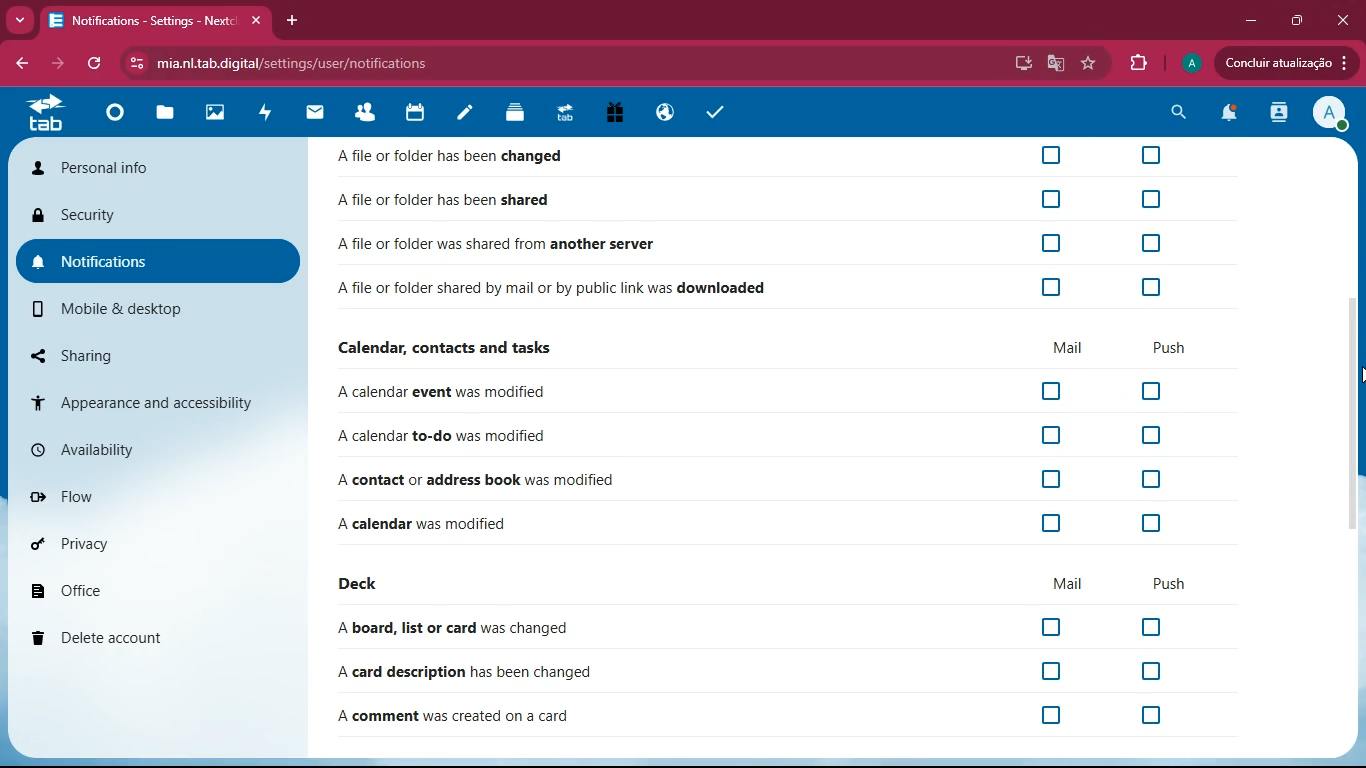 Image resolution: width=1366 pixels, height=768 pixels. What do you see at coordinates (1052, 668) in the screenshot?
I see `off` at bounding box center [1052, 668].